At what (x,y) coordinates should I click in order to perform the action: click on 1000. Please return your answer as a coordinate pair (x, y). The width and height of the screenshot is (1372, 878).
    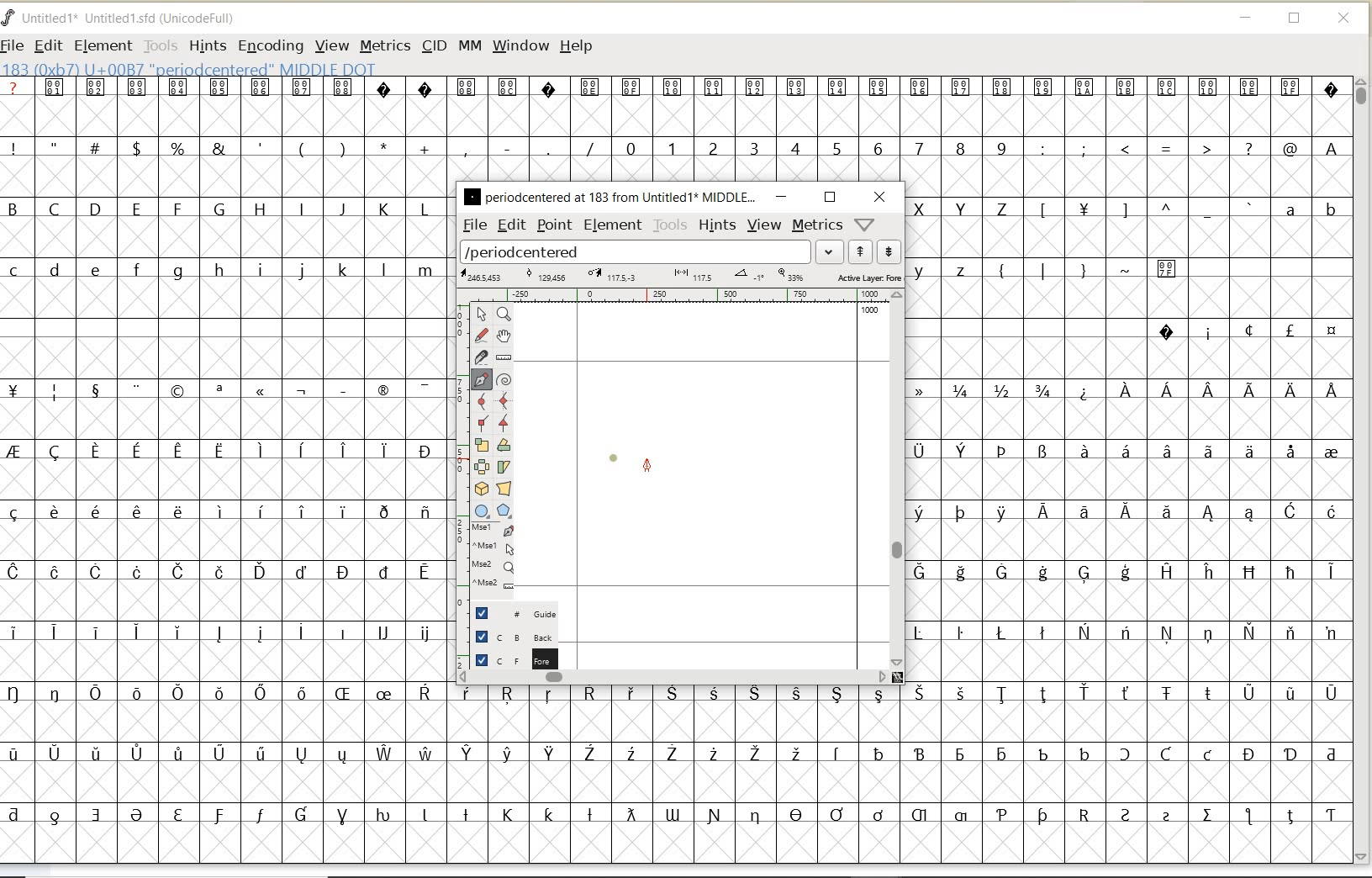
    Looking at the image, I should click on (870, 312).